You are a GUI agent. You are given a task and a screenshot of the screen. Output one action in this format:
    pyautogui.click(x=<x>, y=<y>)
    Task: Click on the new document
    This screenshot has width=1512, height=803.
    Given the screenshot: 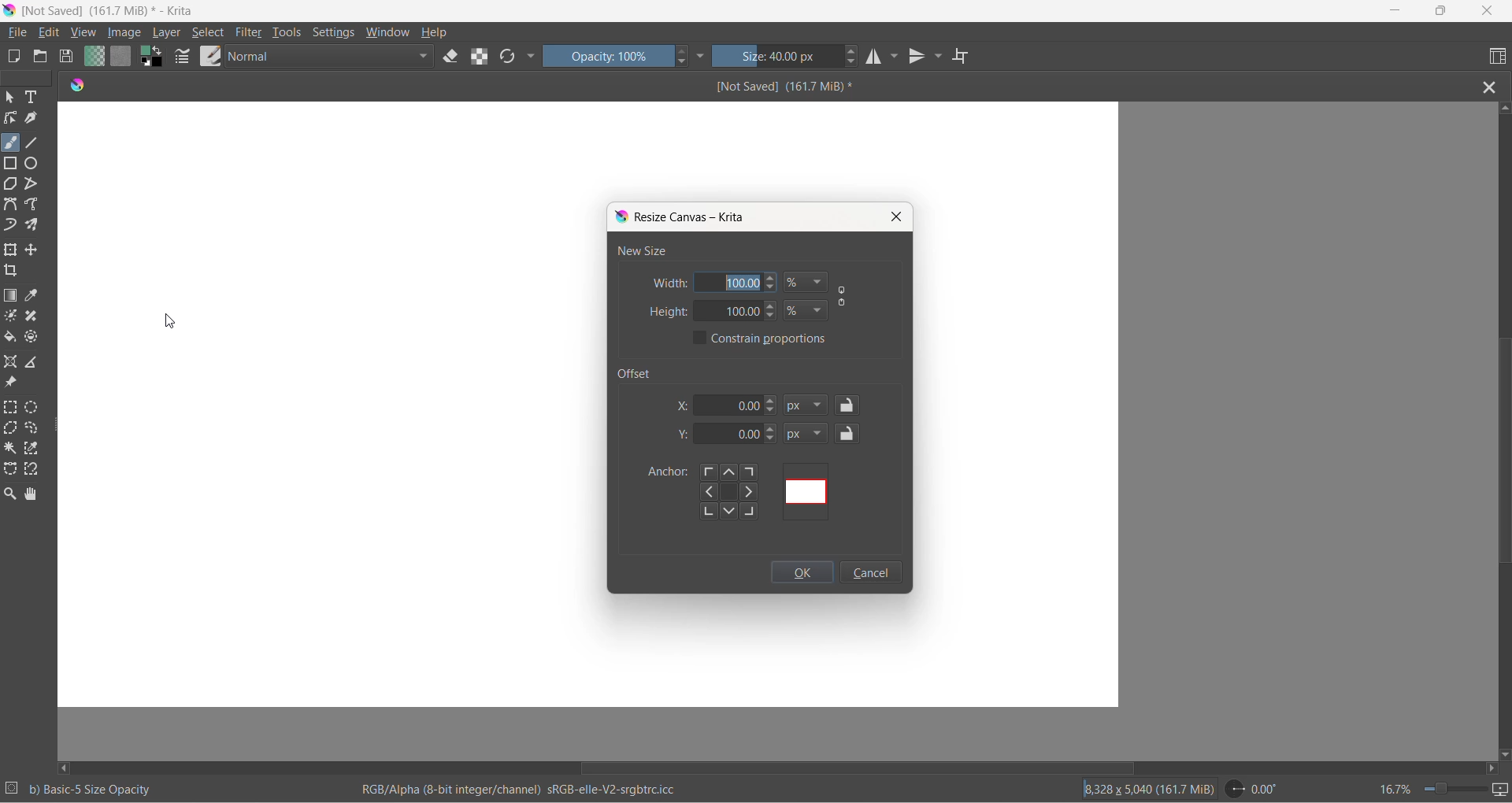 What is the action you would take?
    pyautogui.click(x=16, y=57)
    